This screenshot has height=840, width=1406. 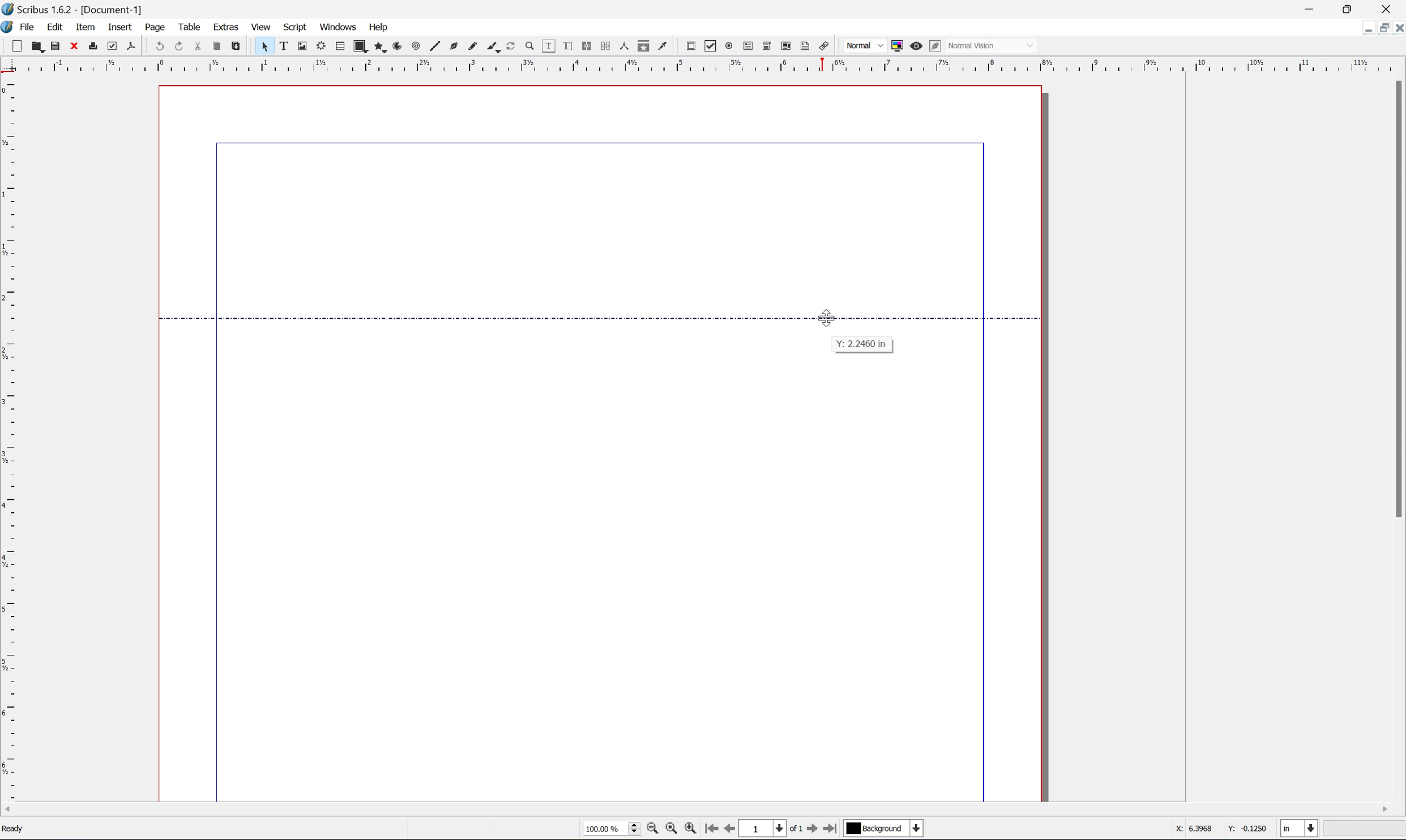 What do you see at coordinates (84, 26) in the screenshot?
I see `item` at bounding box center [84, 26].